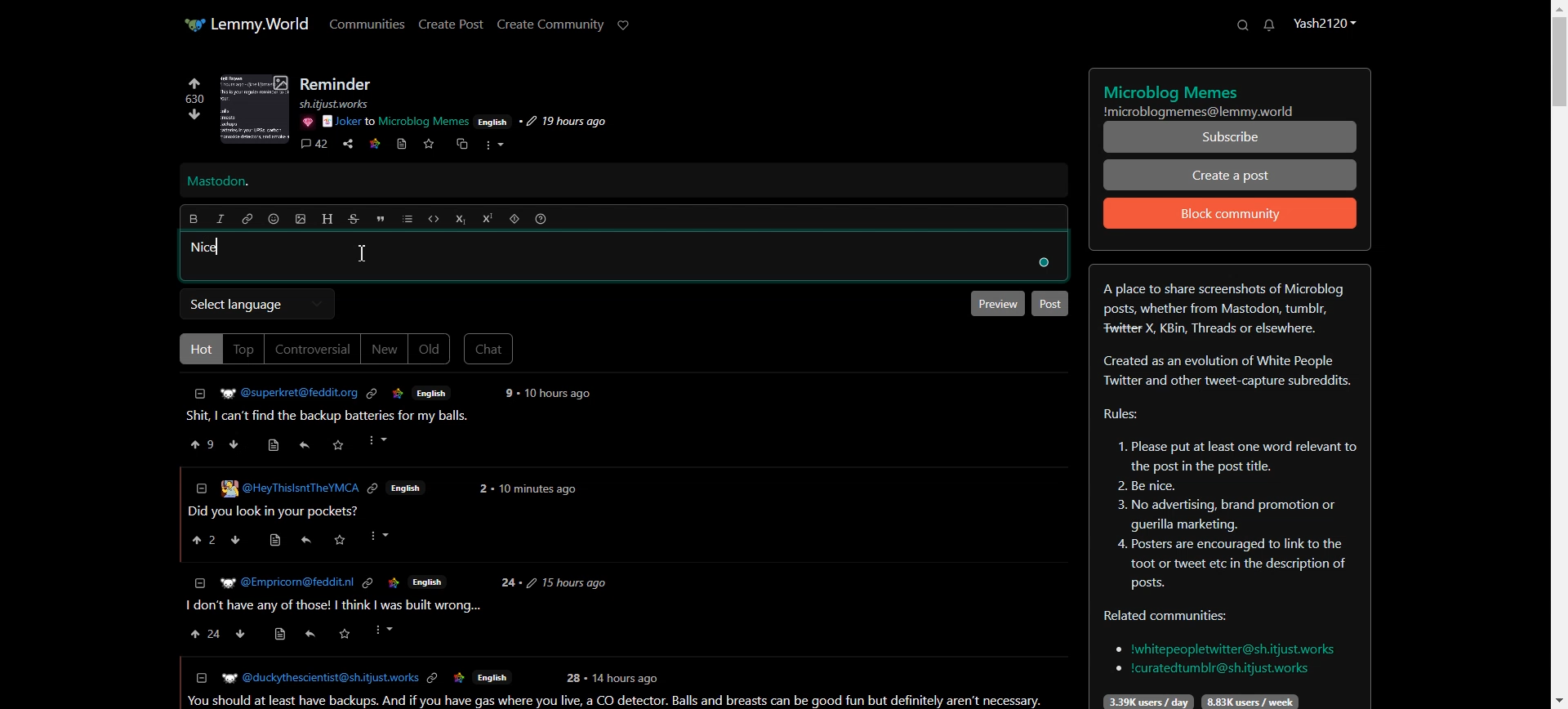 This screenshot has height=709, width=1568. Describe the element at coordinates (450, 24) in the screenshot. I see `Create Post` at that location.